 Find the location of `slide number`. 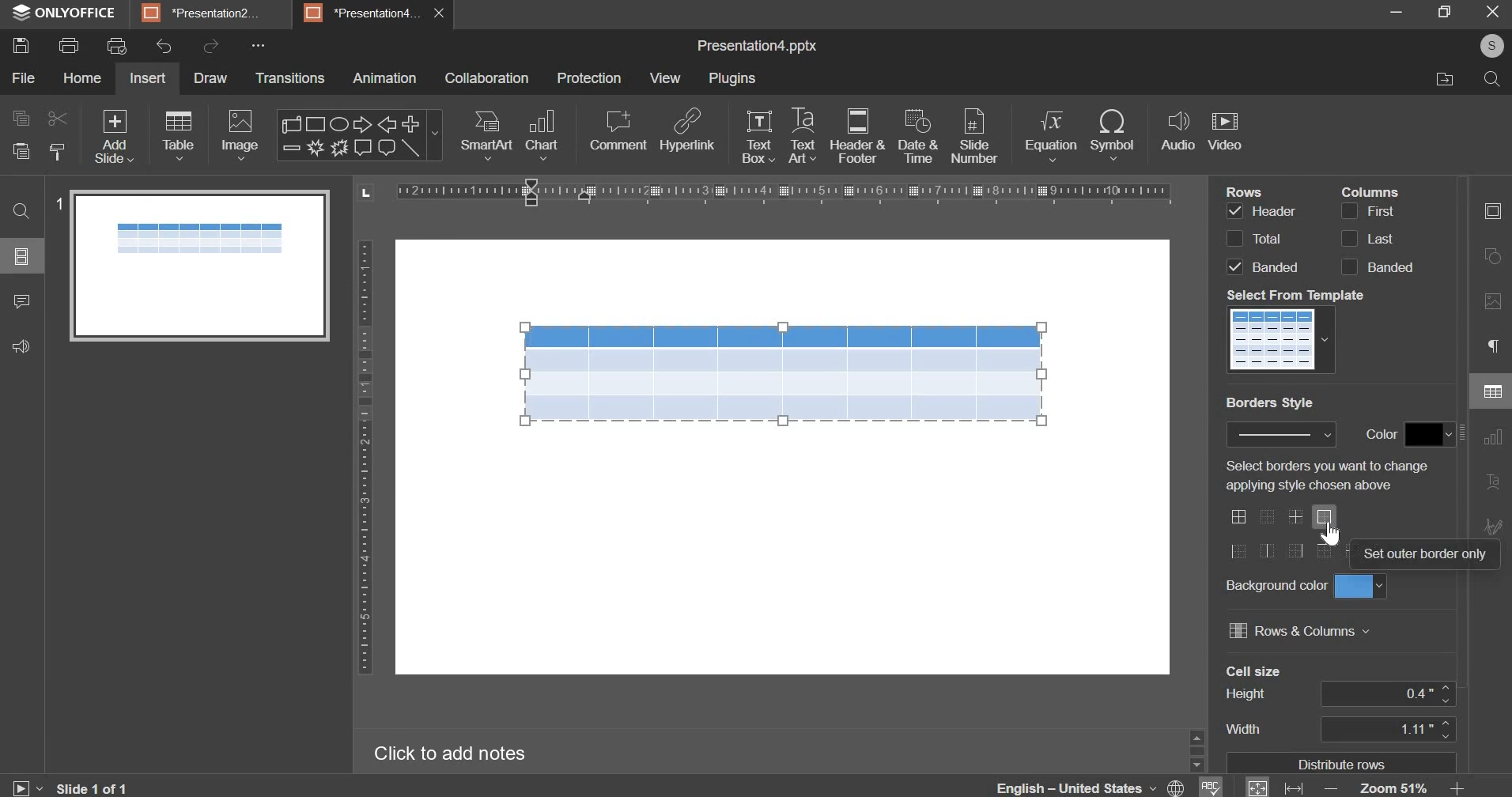

slide number is located at coordinates (979, 135).